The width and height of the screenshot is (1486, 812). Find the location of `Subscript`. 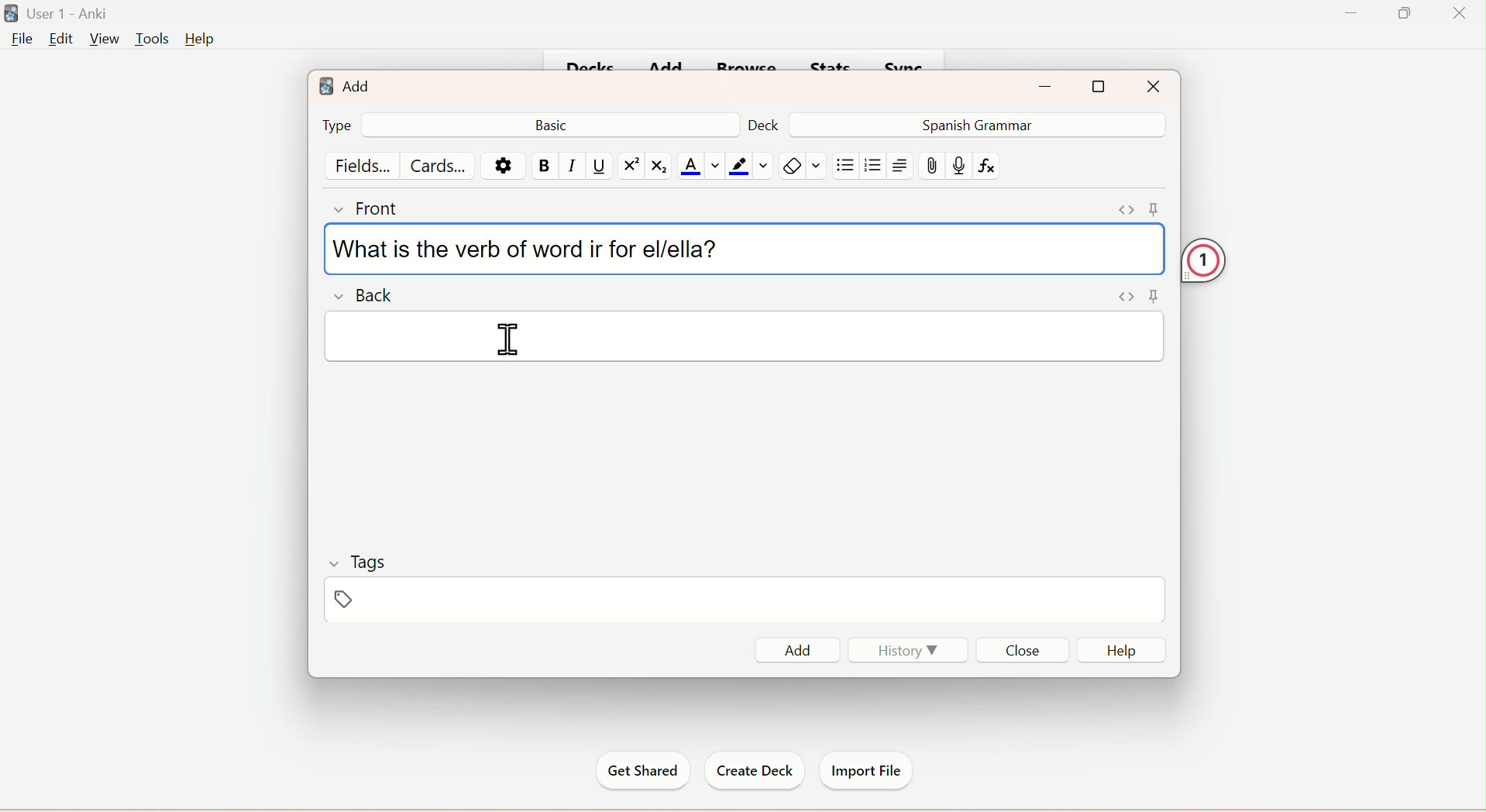

Subscript is located at coordinates (659, 167).